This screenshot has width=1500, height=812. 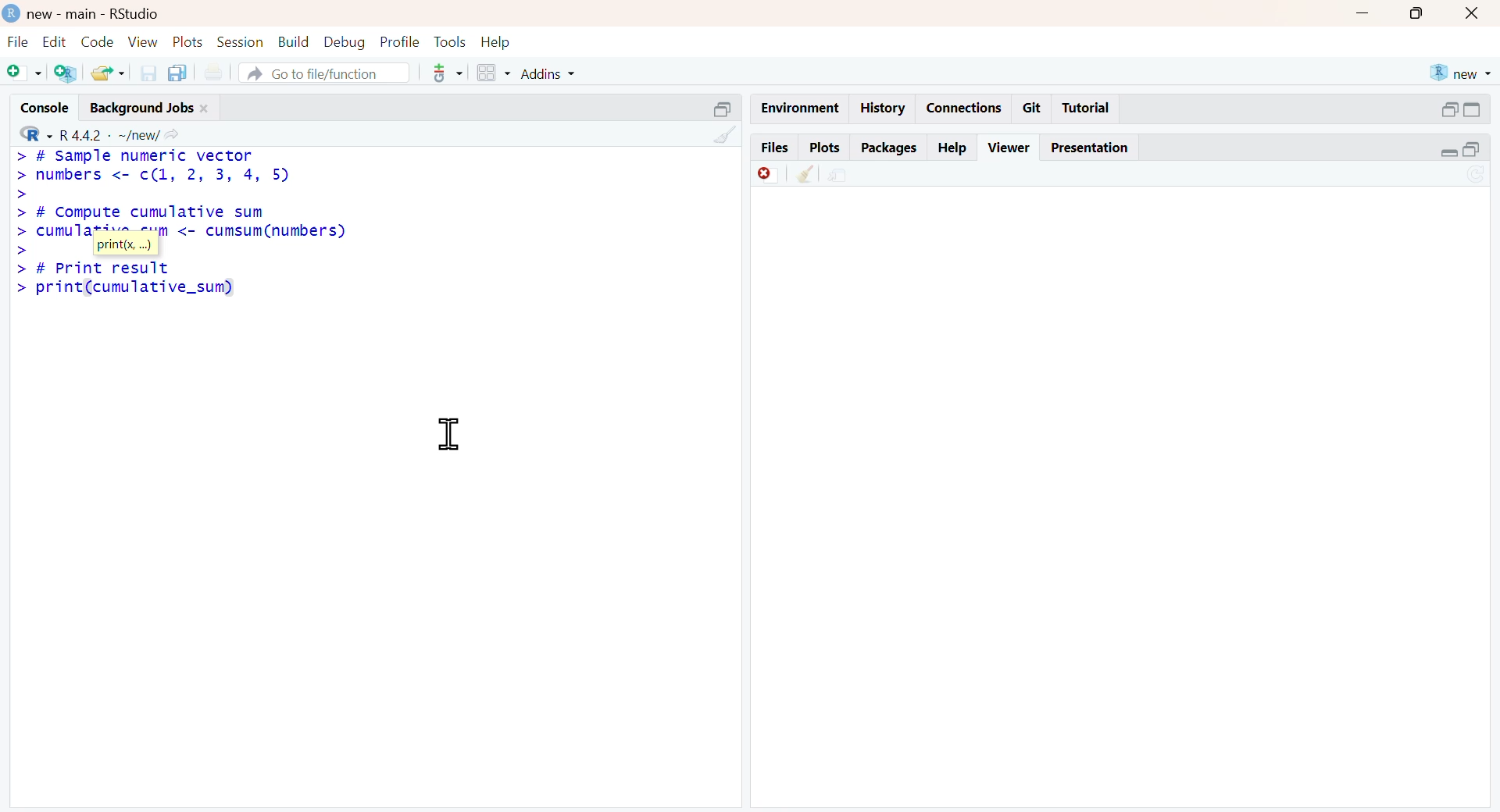 I want to click on new, so click(x=1462, y=73).